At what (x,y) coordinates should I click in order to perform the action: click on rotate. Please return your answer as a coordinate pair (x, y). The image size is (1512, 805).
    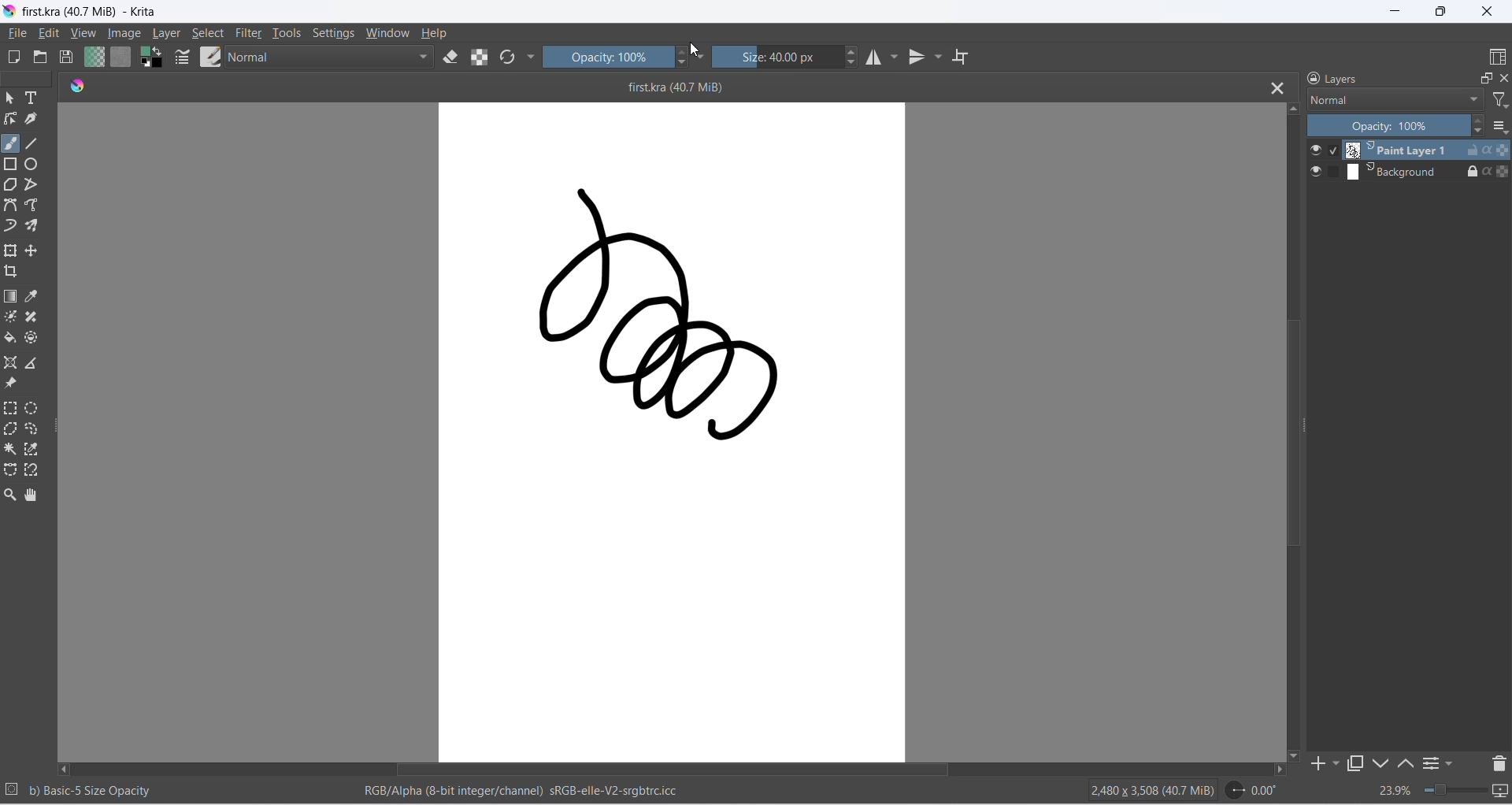
    Looking at the image, I should click on (1253, 790).